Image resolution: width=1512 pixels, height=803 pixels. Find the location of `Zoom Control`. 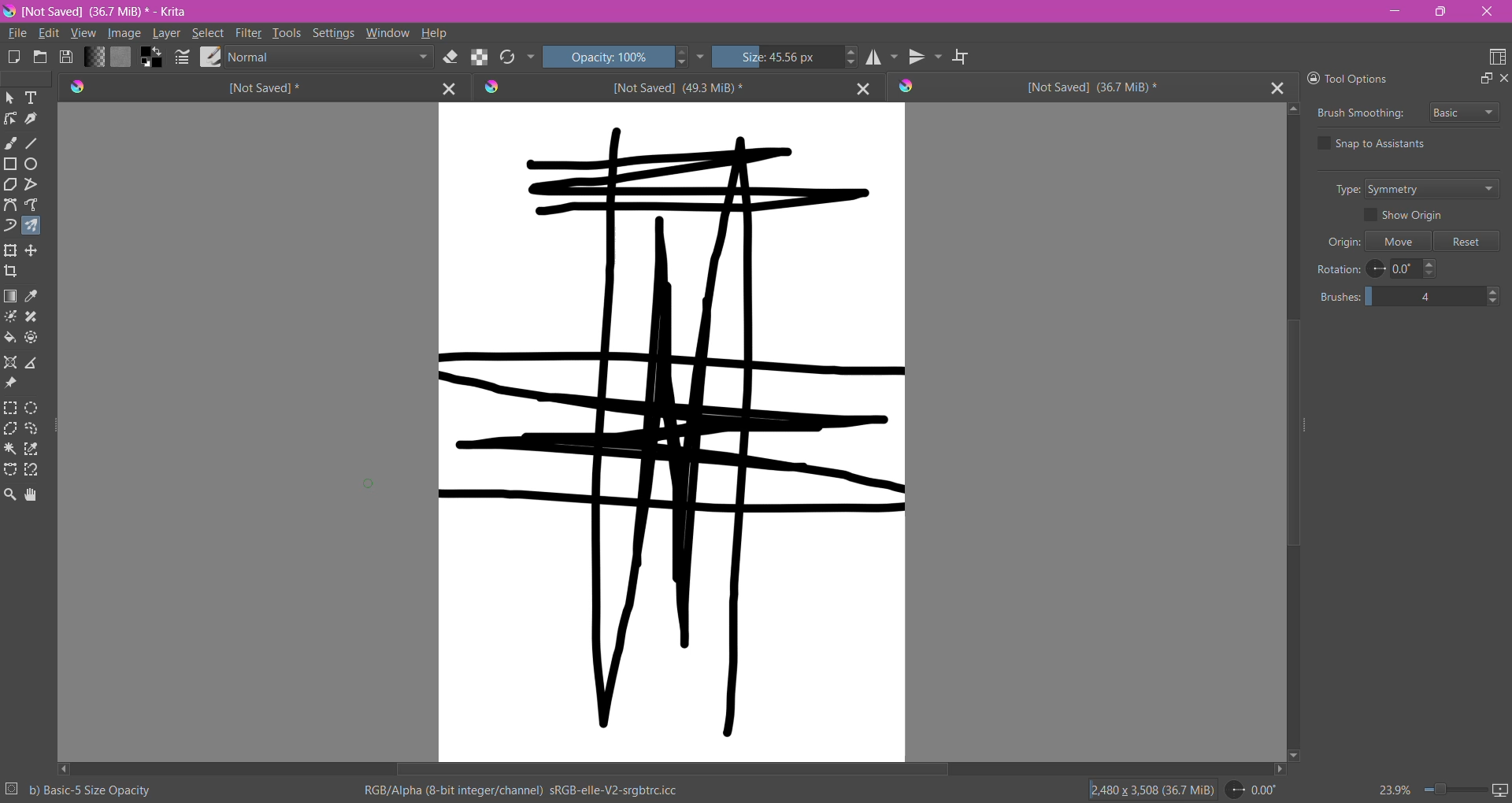

Zoom Control is located at coordinates (1428, 790).